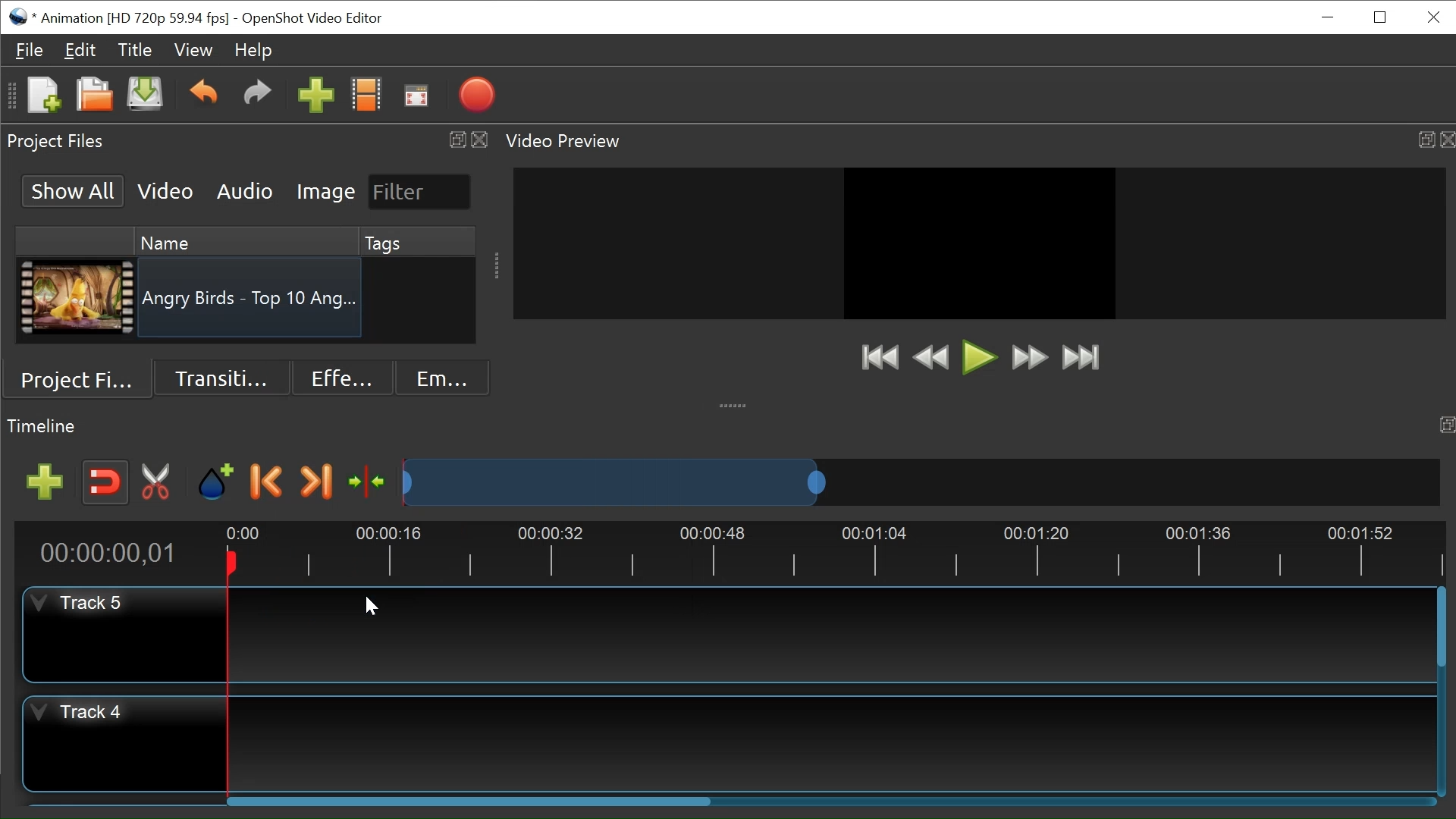 The image size is (1456, 819). I want to click on OpenShot Desktop Icon, so click(19, 16).